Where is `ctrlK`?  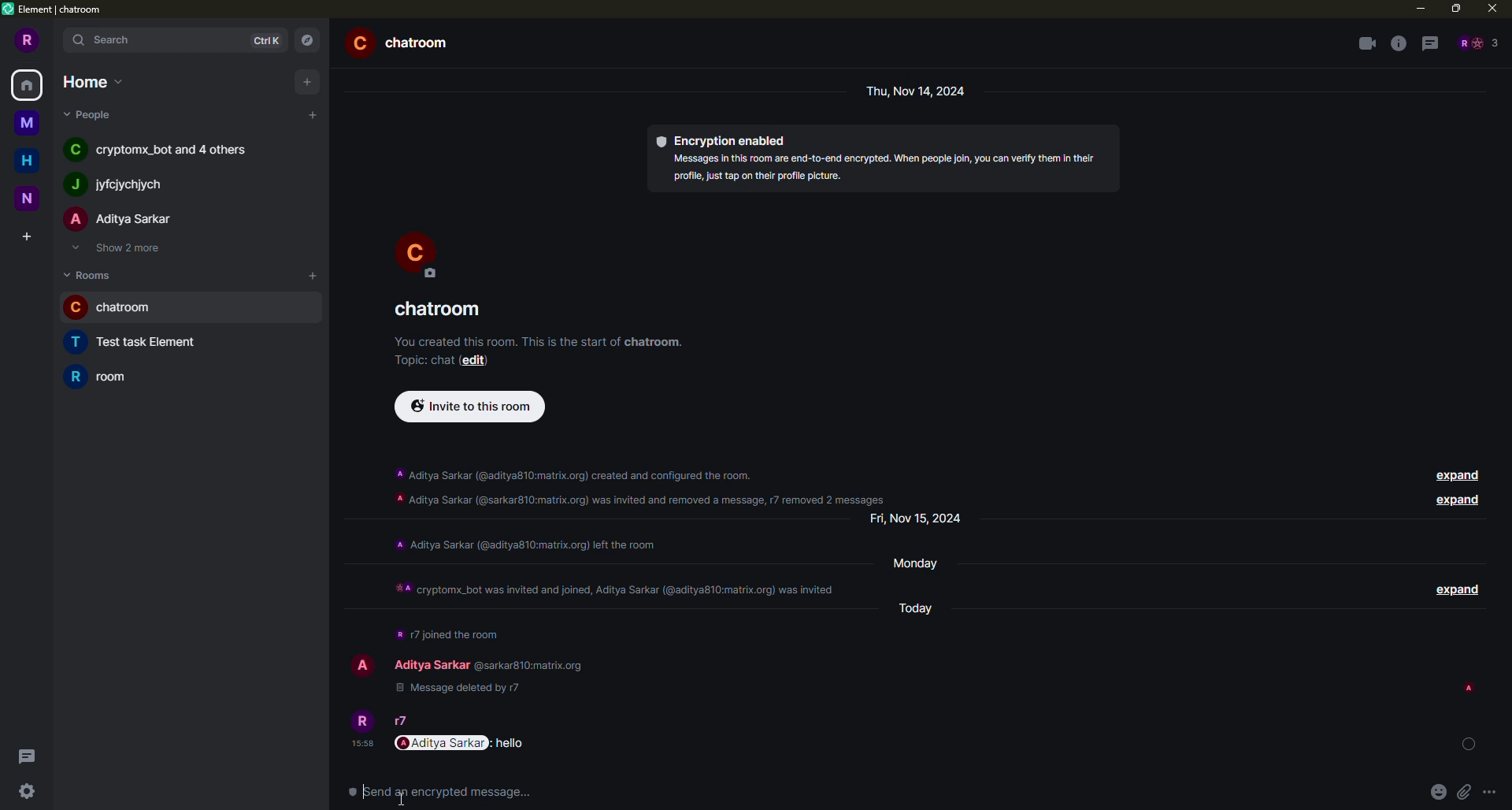 ctrlK is located at coordinates (263, 40).